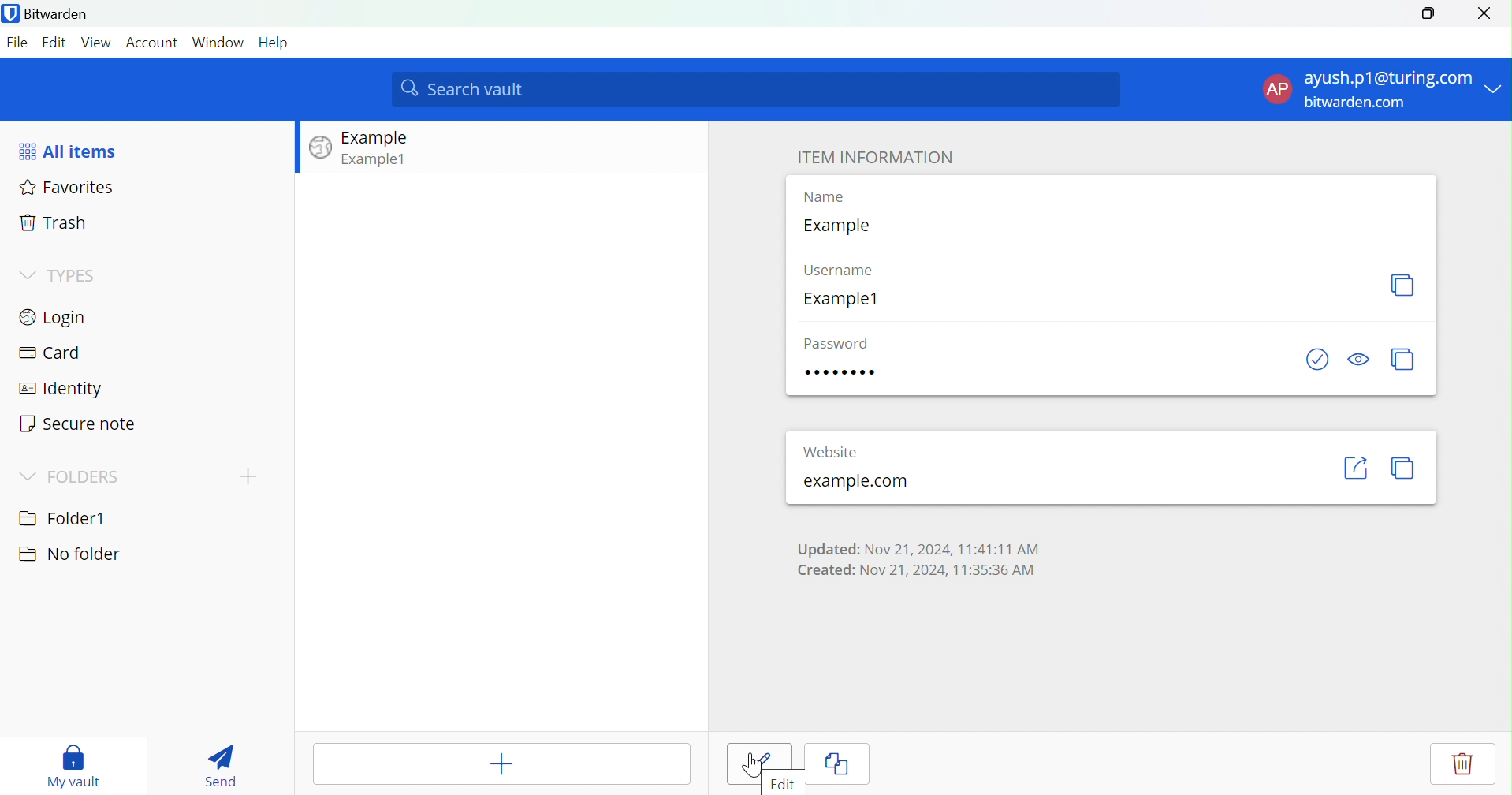 Image resolution: width=1512 pixels, height=795 pixels. What do you see at coordinates (1359, 358) in the screenshot?
I see `Toggle Visibility` at bounding box center [1359, 358].